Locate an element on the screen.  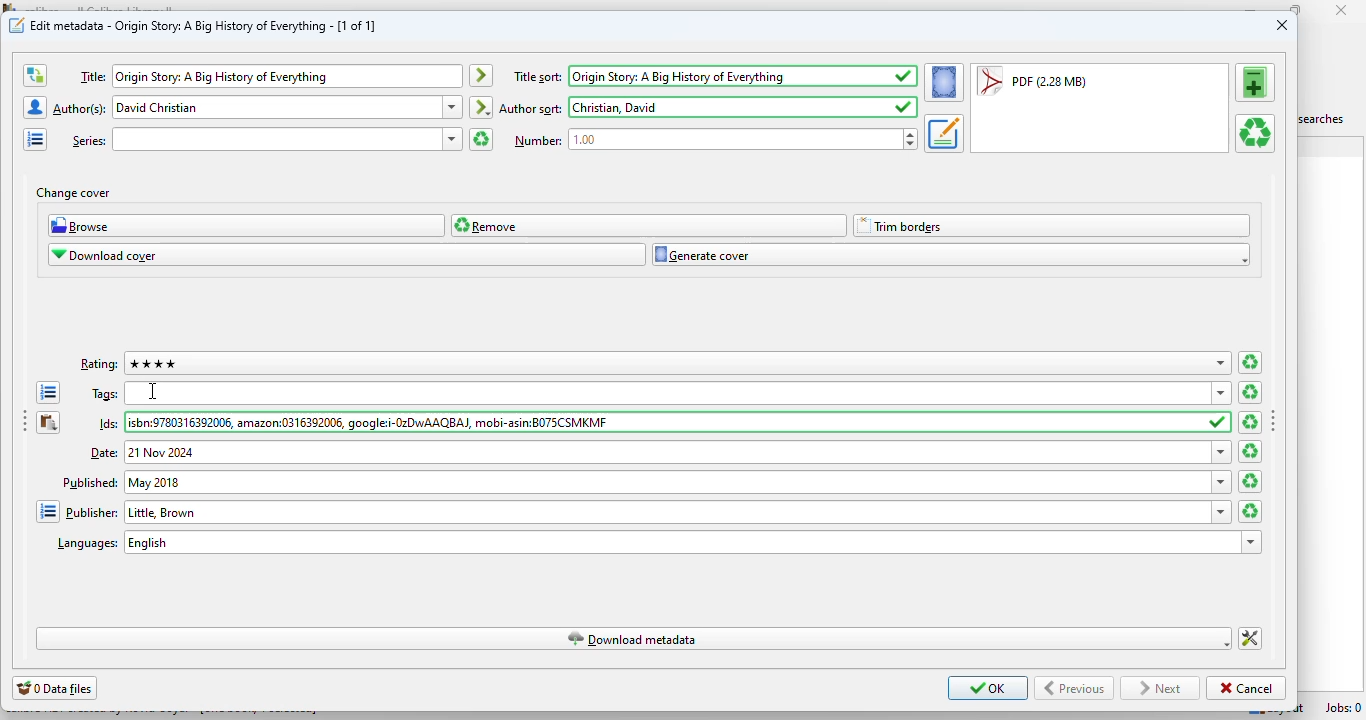
cursor is located at coordinates (151, 391).